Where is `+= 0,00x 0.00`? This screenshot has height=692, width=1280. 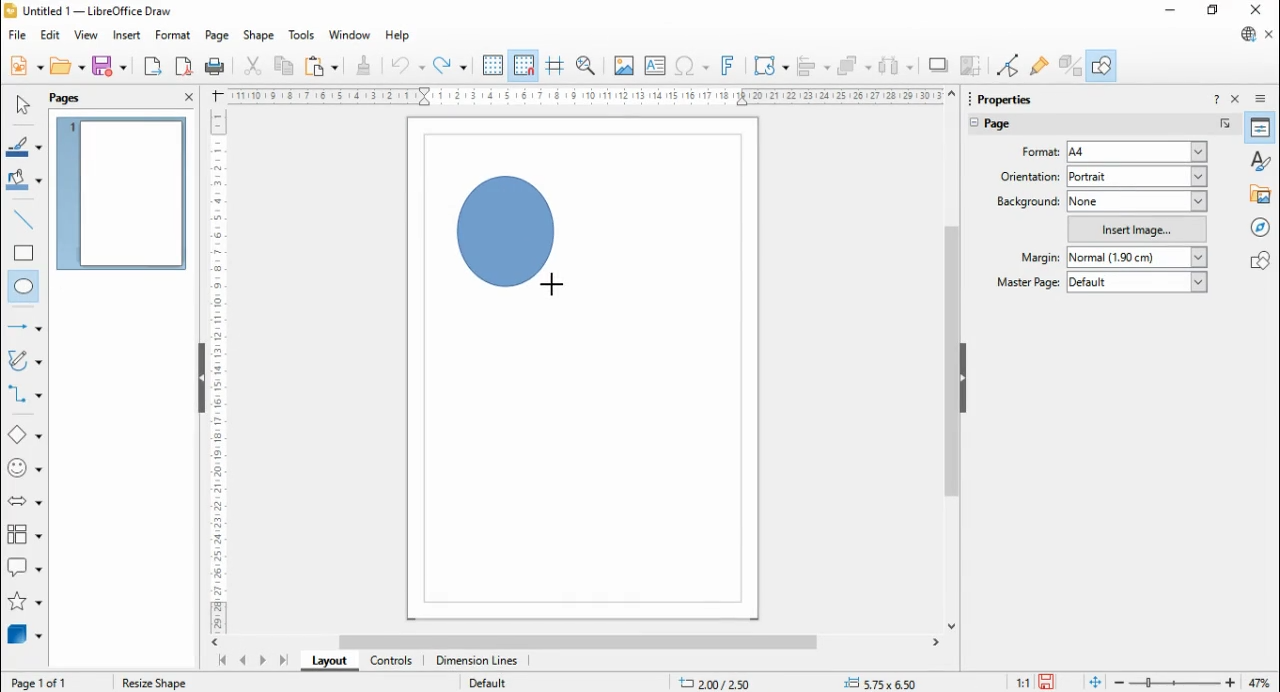 += 0,00x 0.00 is located at coordinates (886, 682).